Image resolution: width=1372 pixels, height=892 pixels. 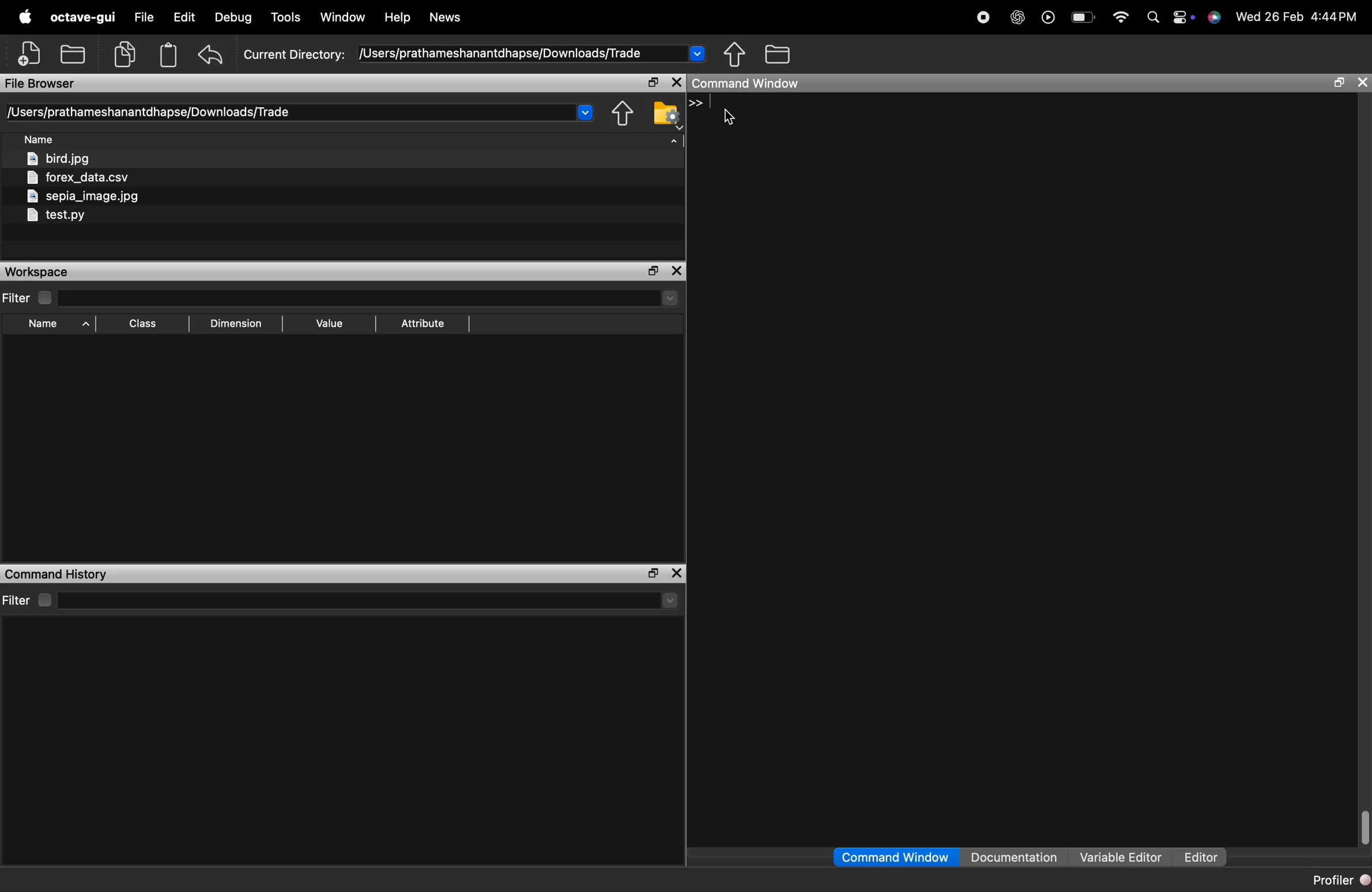 I want to click on close, so click(x=676, y=271).